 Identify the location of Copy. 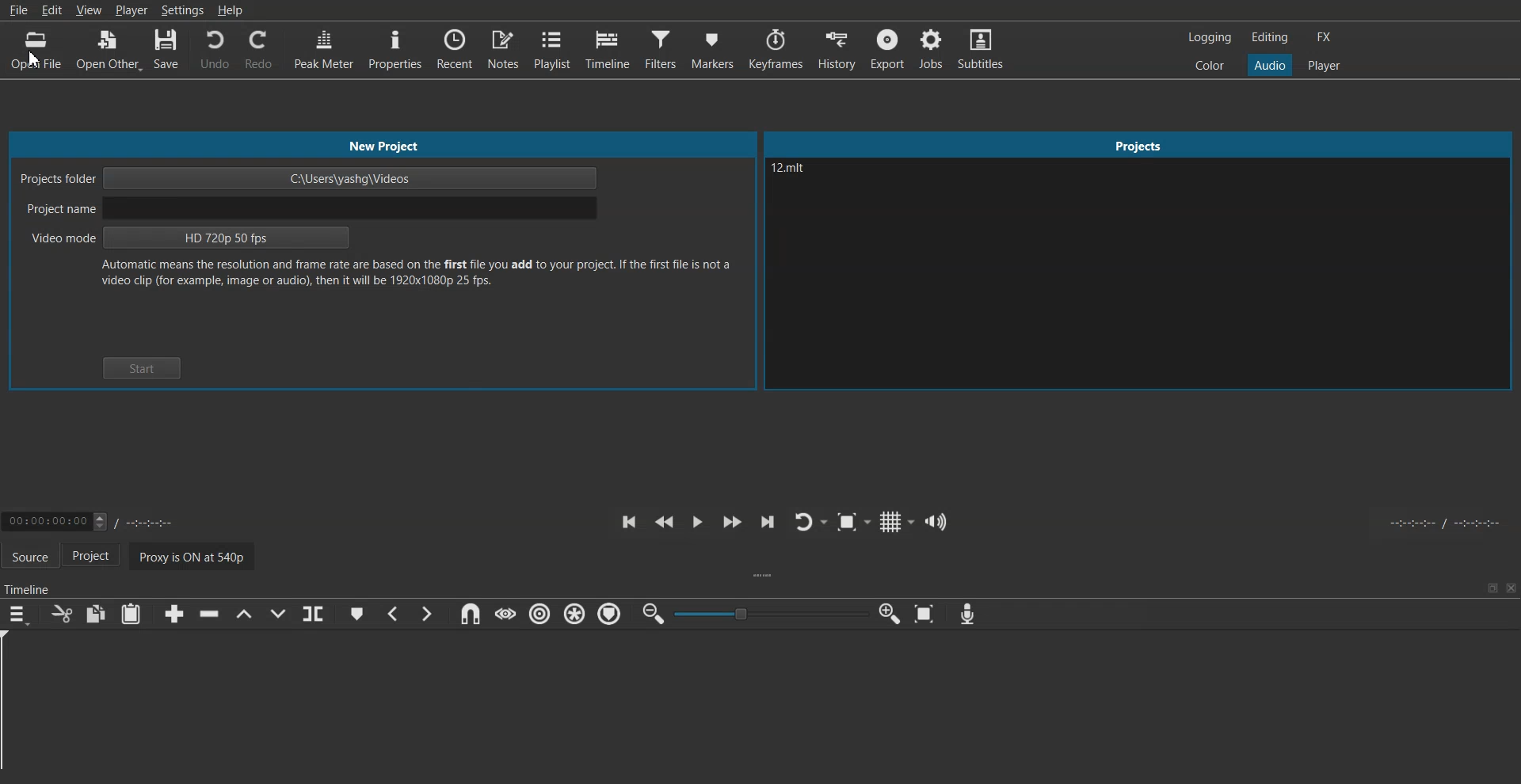
(97, 613).